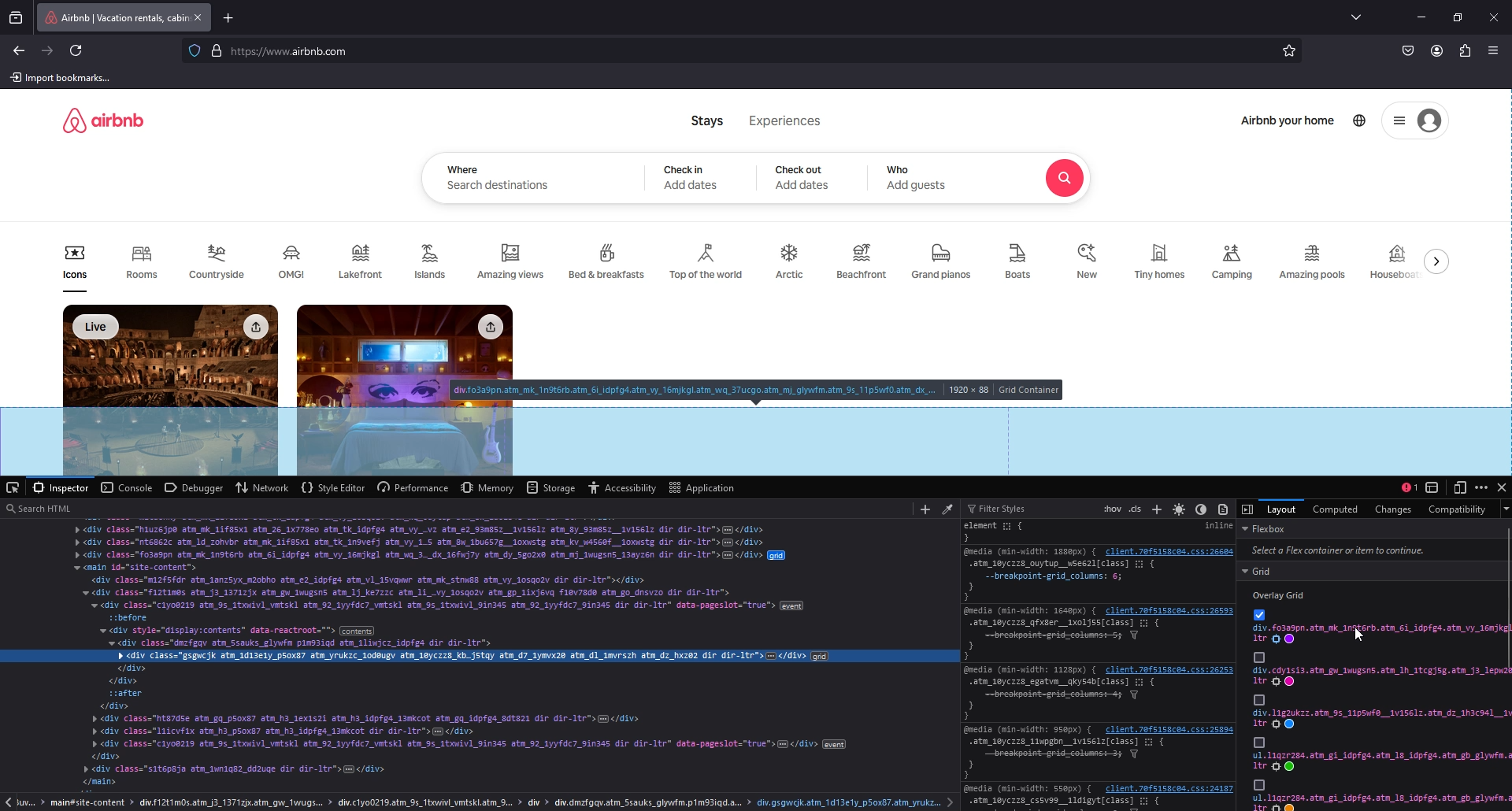  Describe the element at coordinates (1027, 551) in the screenshot. I see `media query ` at that location.